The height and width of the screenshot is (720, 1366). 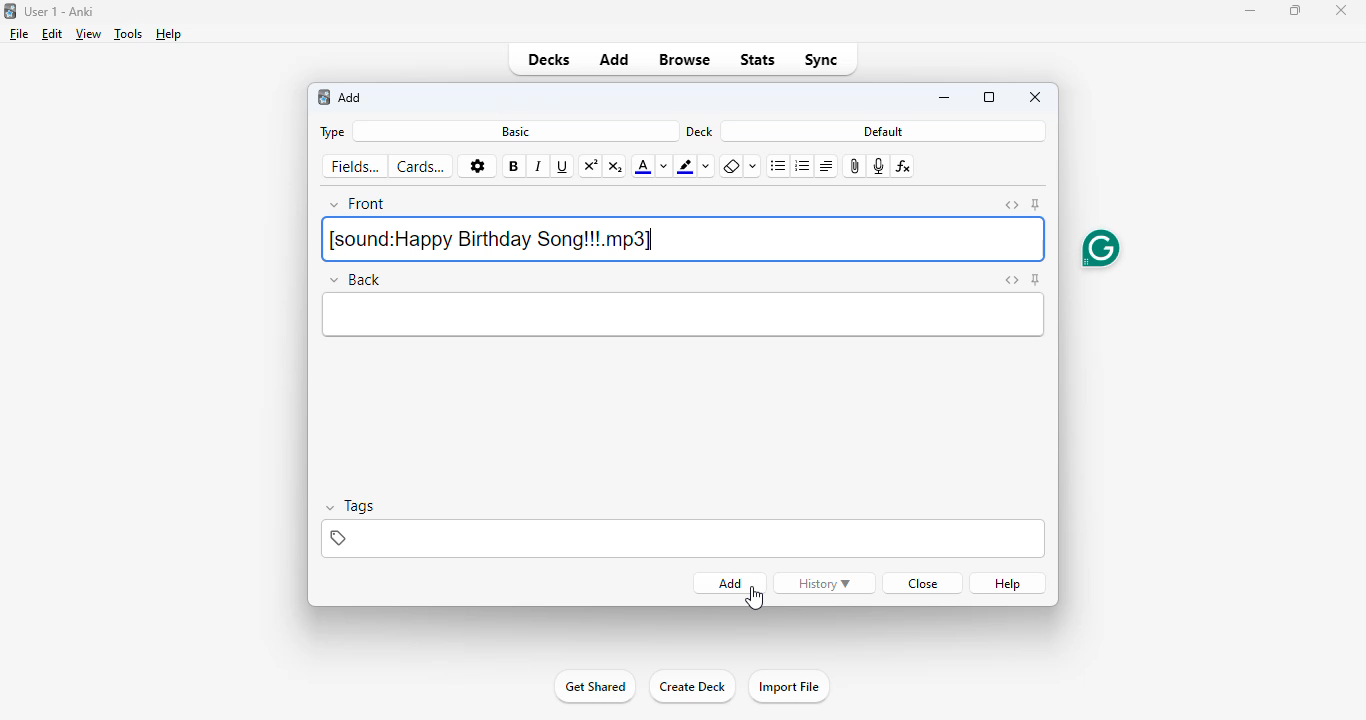 What do you see at coordinates (787, 687) in the screenshot?
I see `import file` at bounding box center [787, 687].